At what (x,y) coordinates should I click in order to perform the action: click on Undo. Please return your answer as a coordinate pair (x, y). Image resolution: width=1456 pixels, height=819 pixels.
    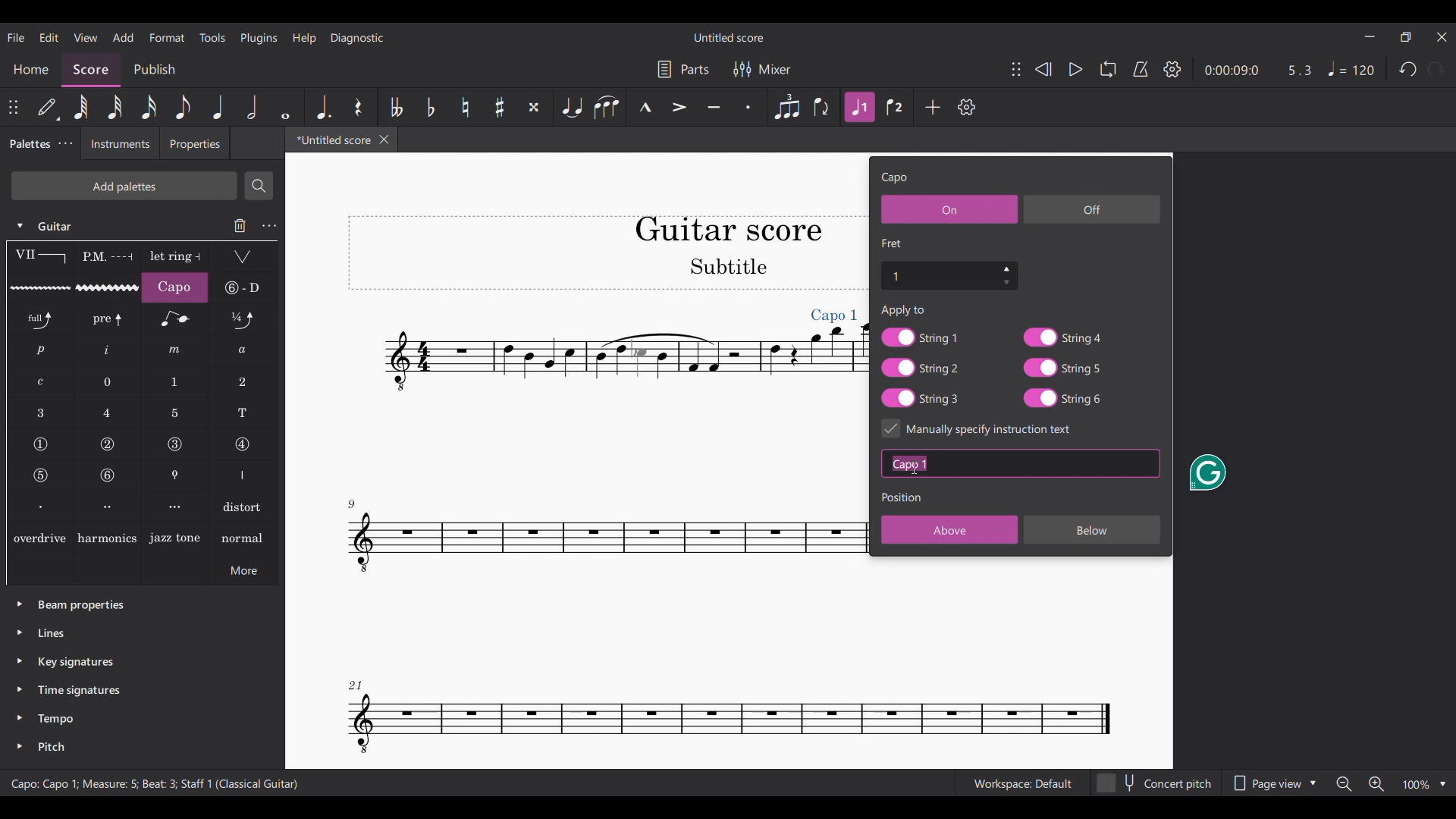
    Looking at the image, I should click on (1407, 69).